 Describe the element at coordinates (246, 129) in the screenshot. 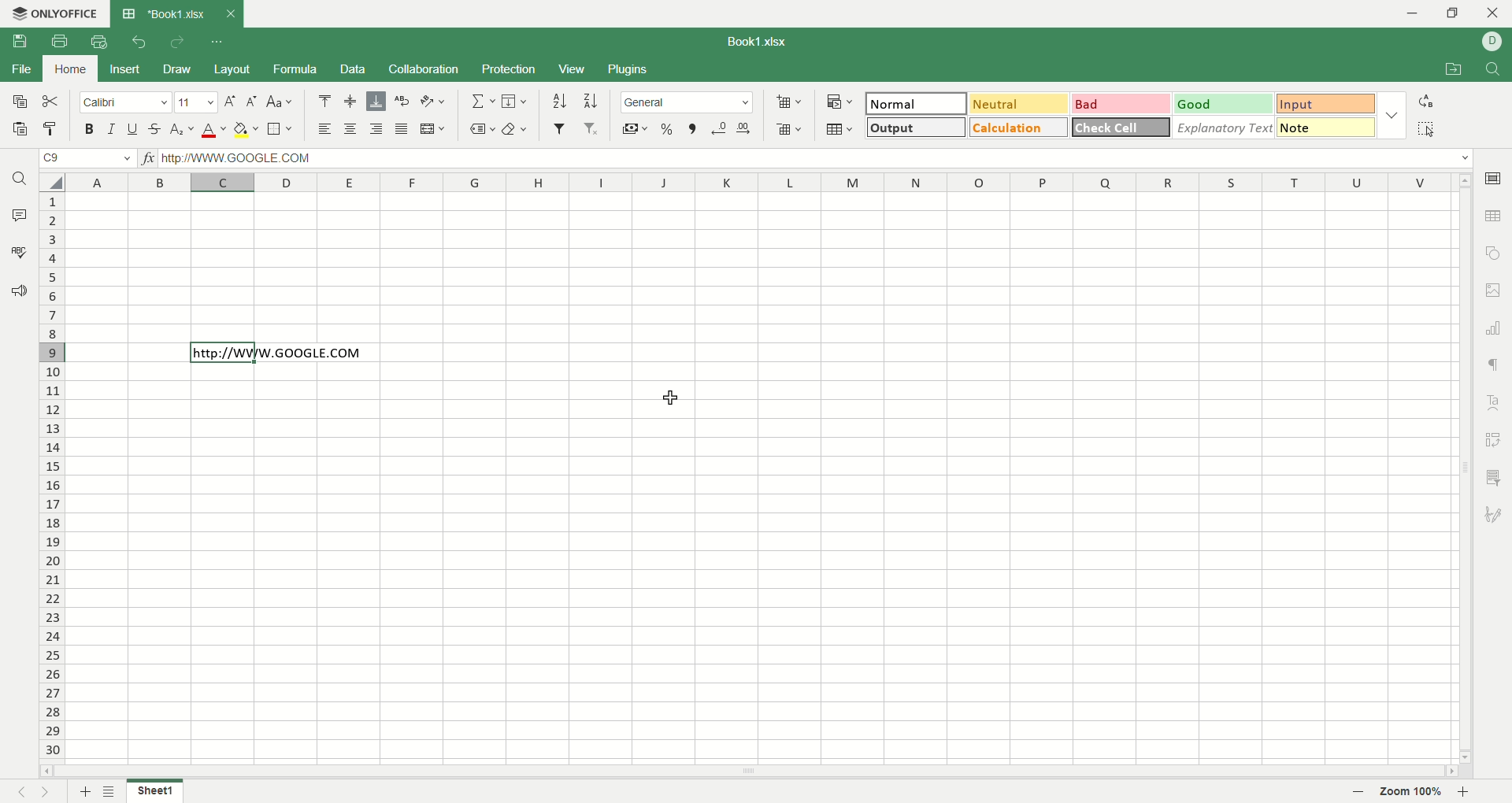

I see `background color` at that location.